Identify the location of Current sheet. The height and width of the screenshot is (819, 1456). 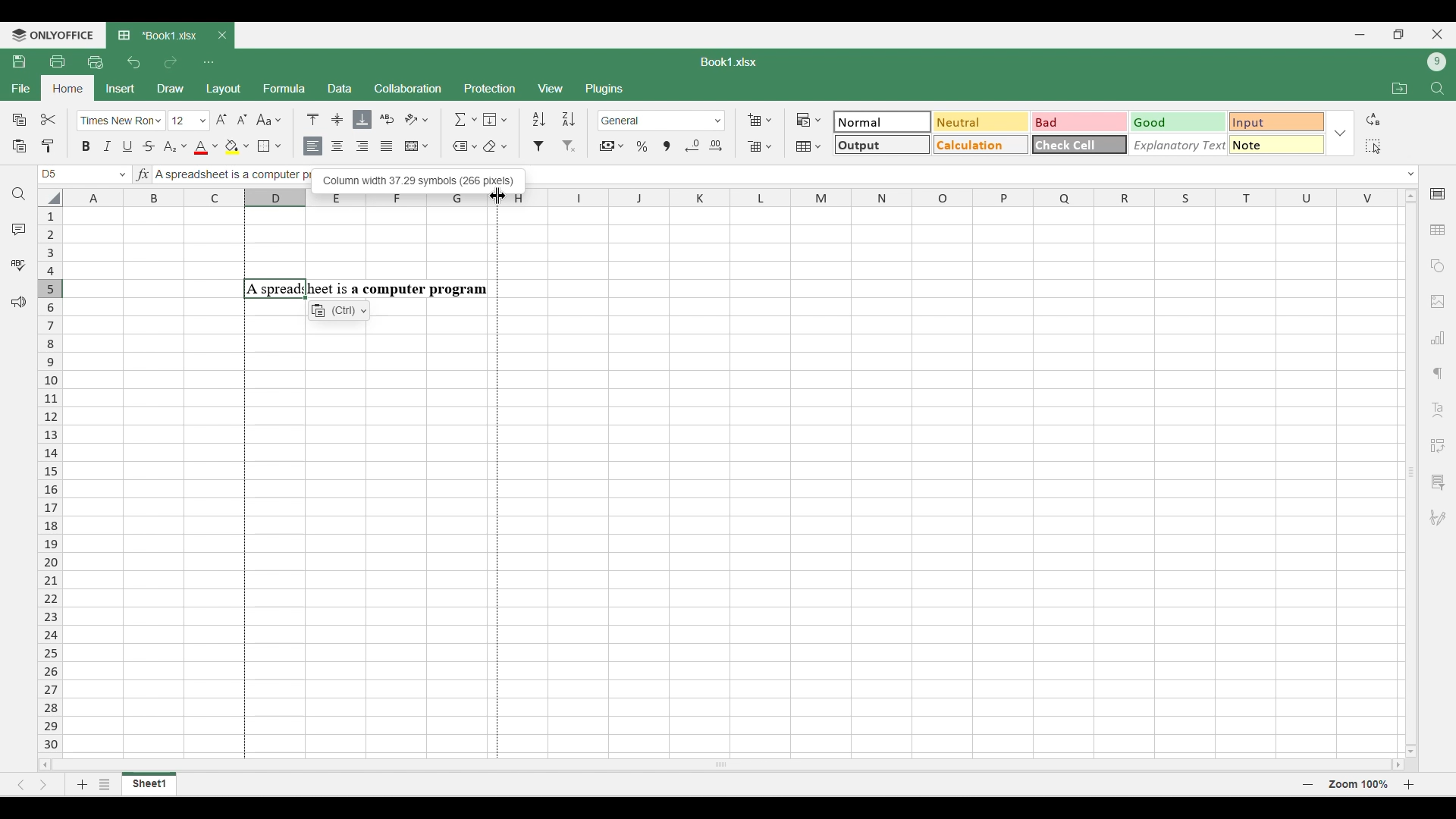
(149, 784).